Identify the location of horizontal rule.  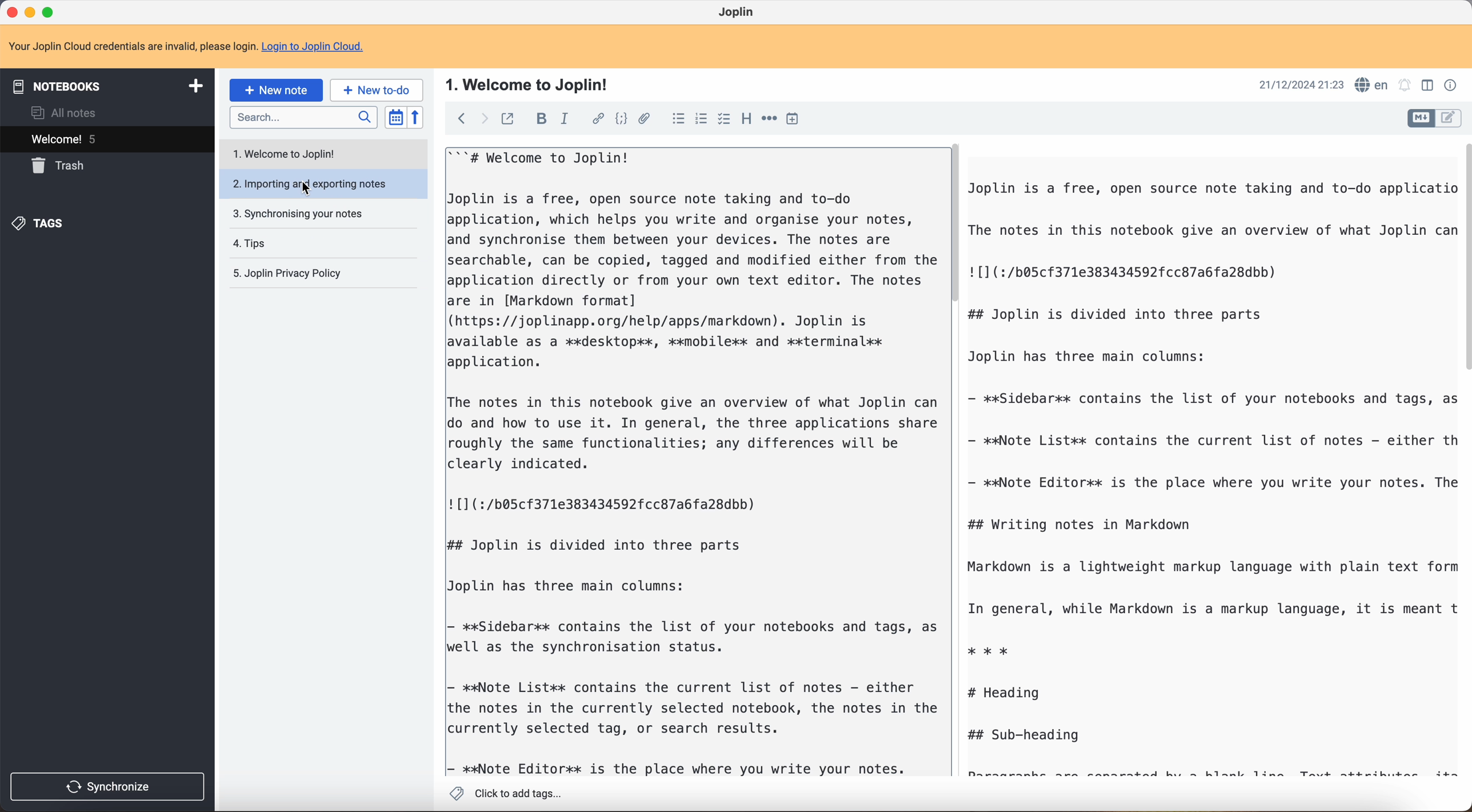
(770, 120).